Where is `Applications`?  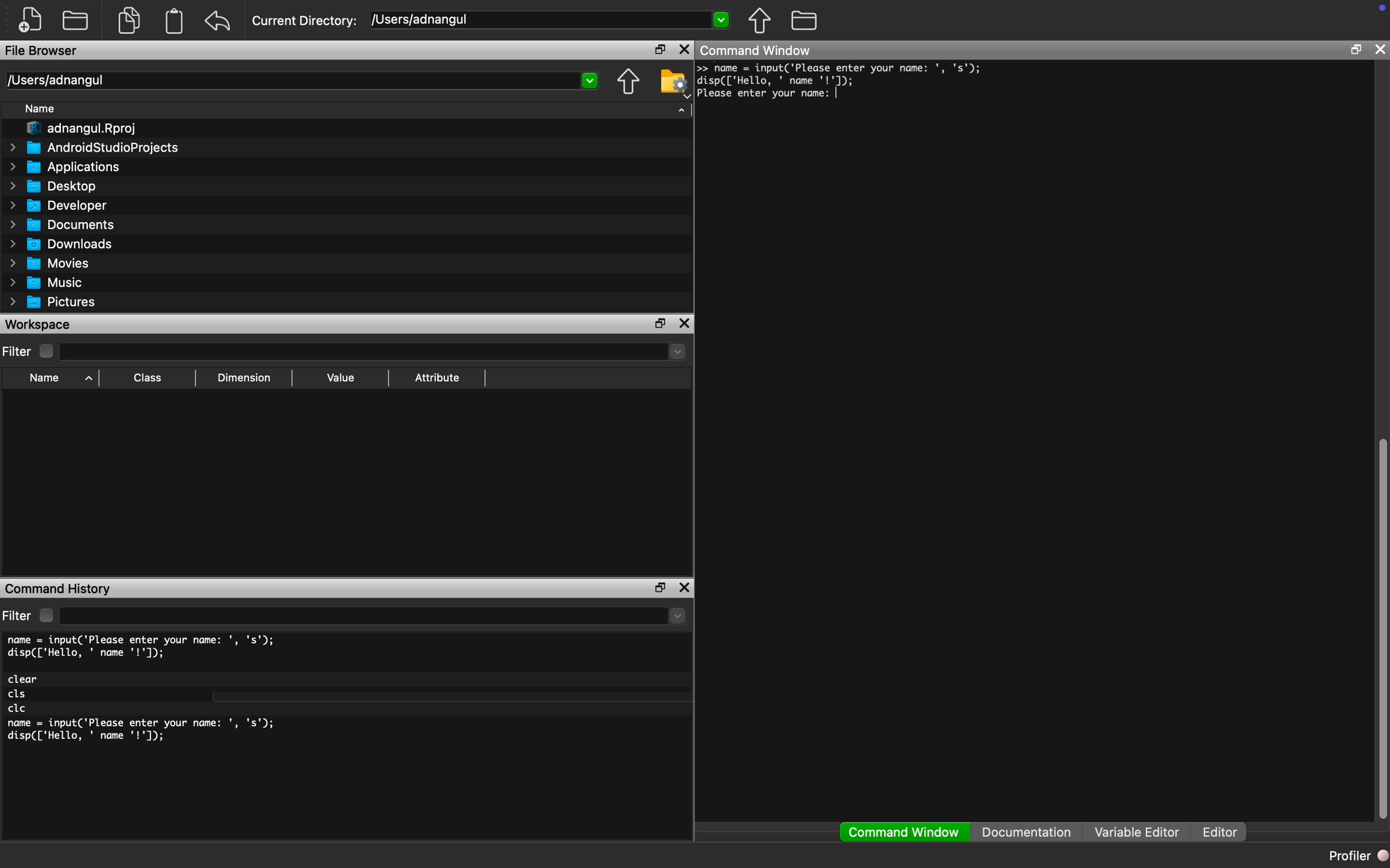 Applications is located at coordinates (66, 167).